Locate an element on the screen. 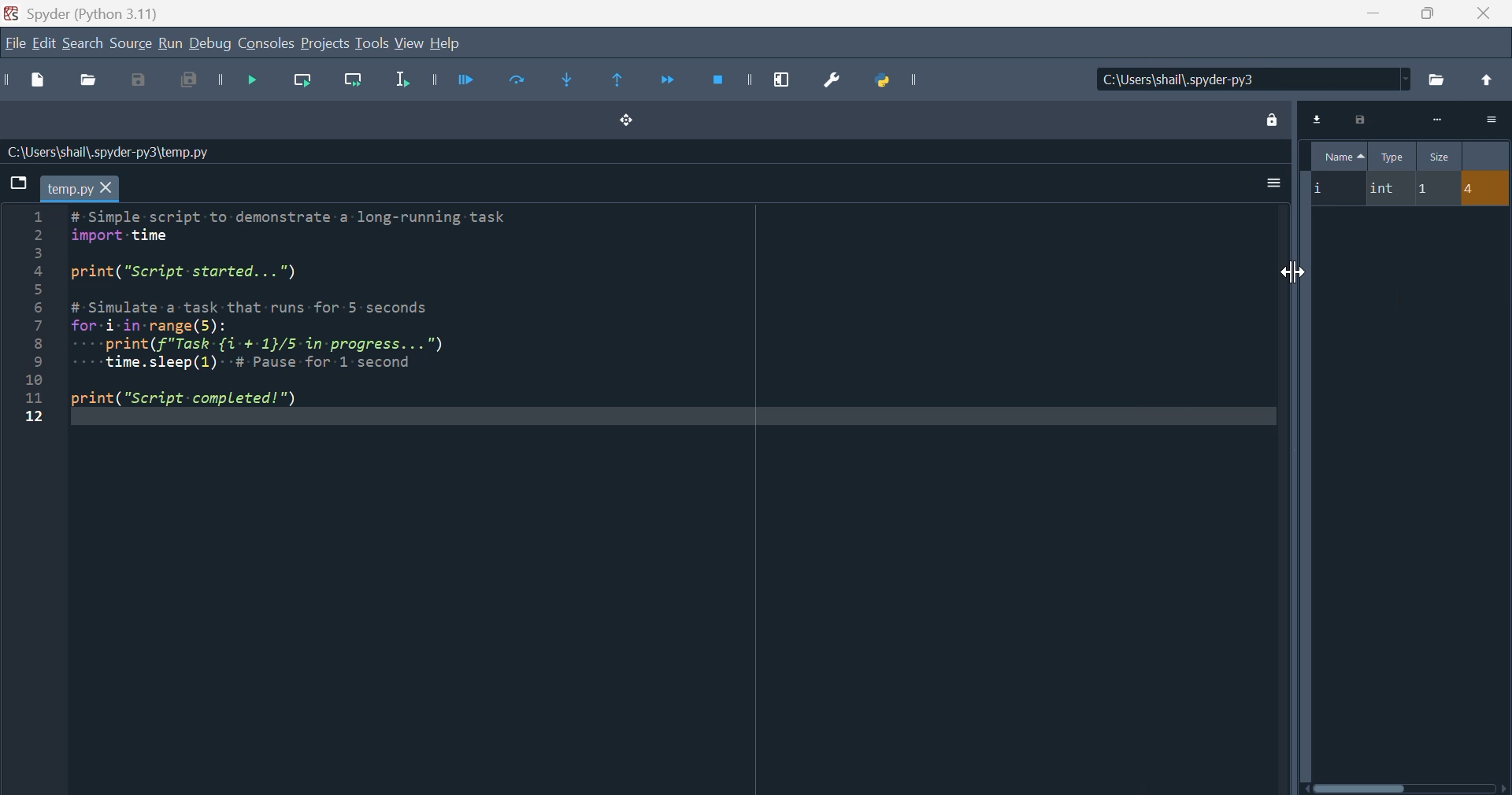 This screenshot has width=1512, height=795. edit is located at coordinates (44, 44).